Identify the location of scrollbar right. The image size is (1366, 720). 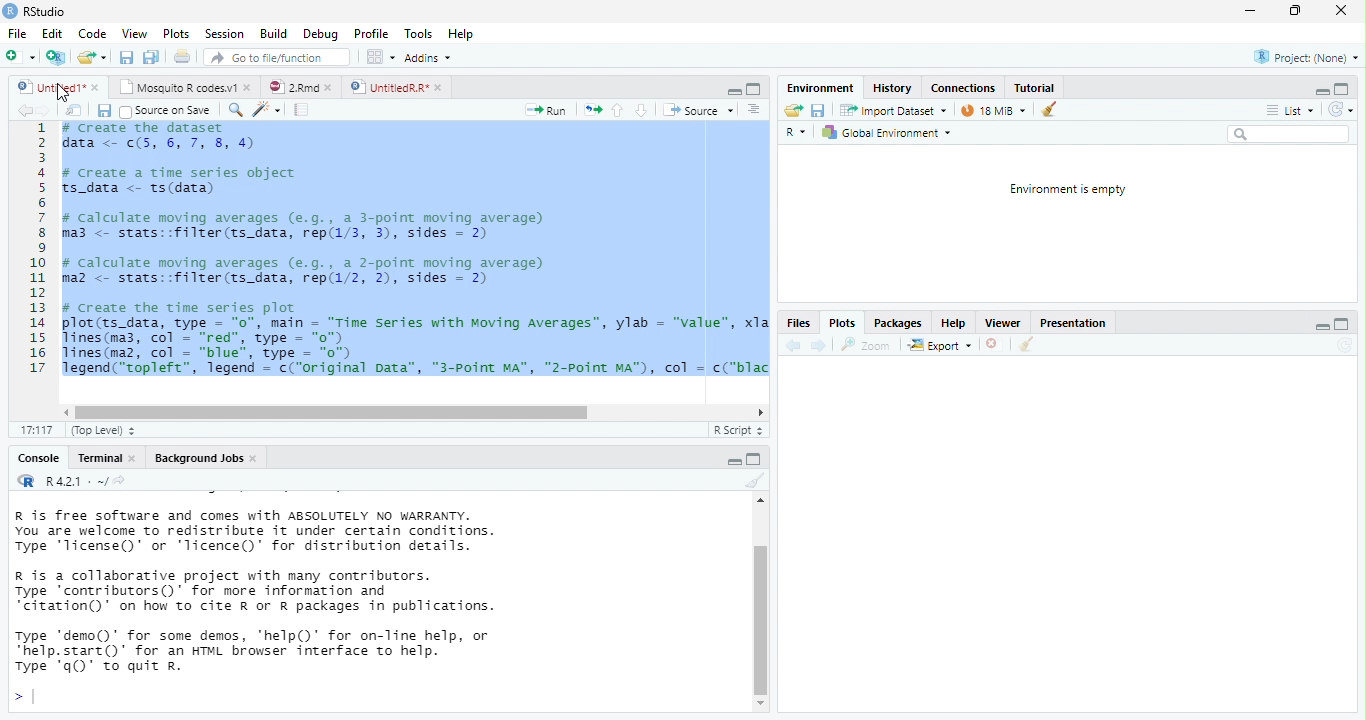
(758, 413).